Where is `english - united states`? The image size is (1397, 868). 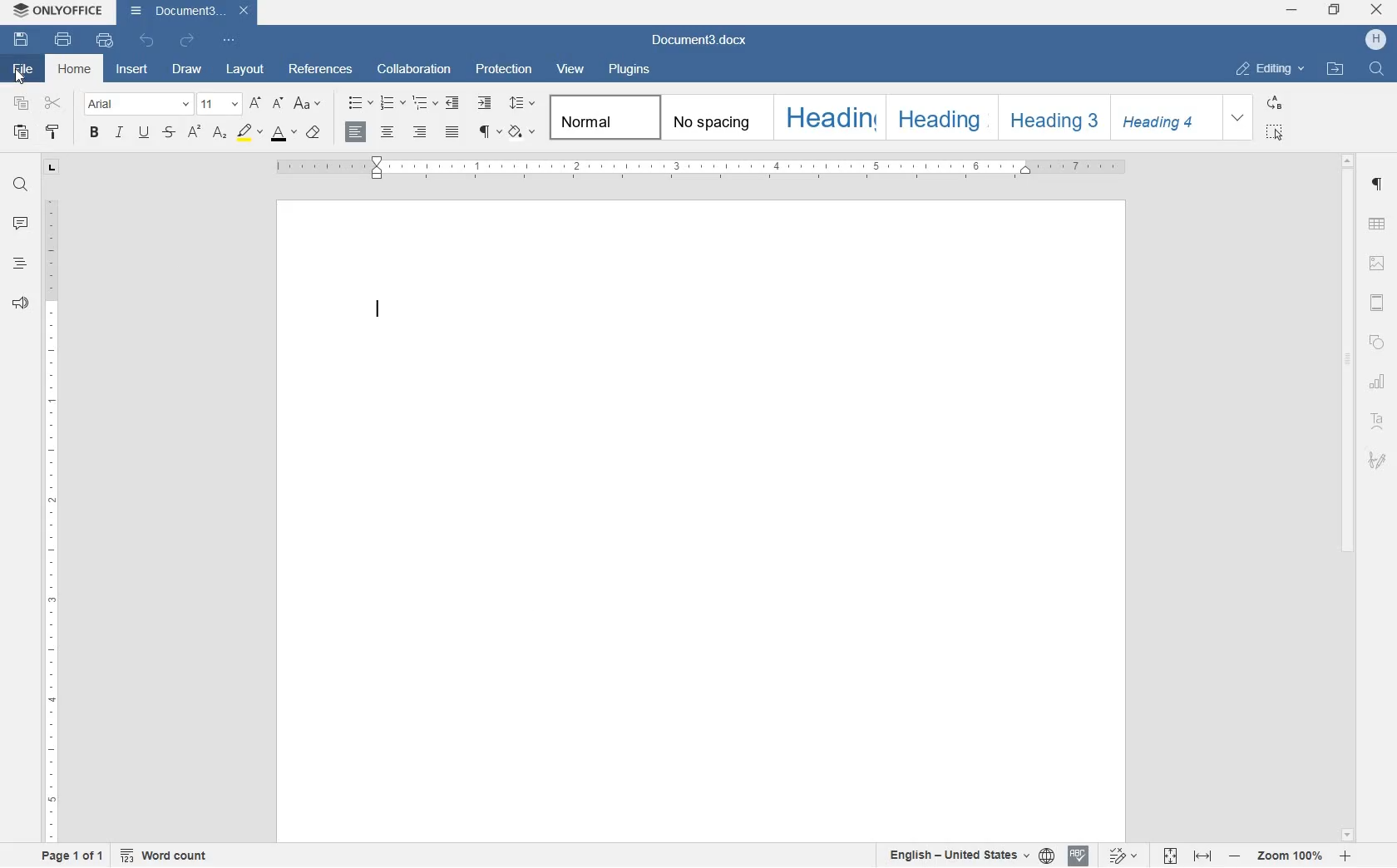 english - united states is located at coordinates (966, 855).